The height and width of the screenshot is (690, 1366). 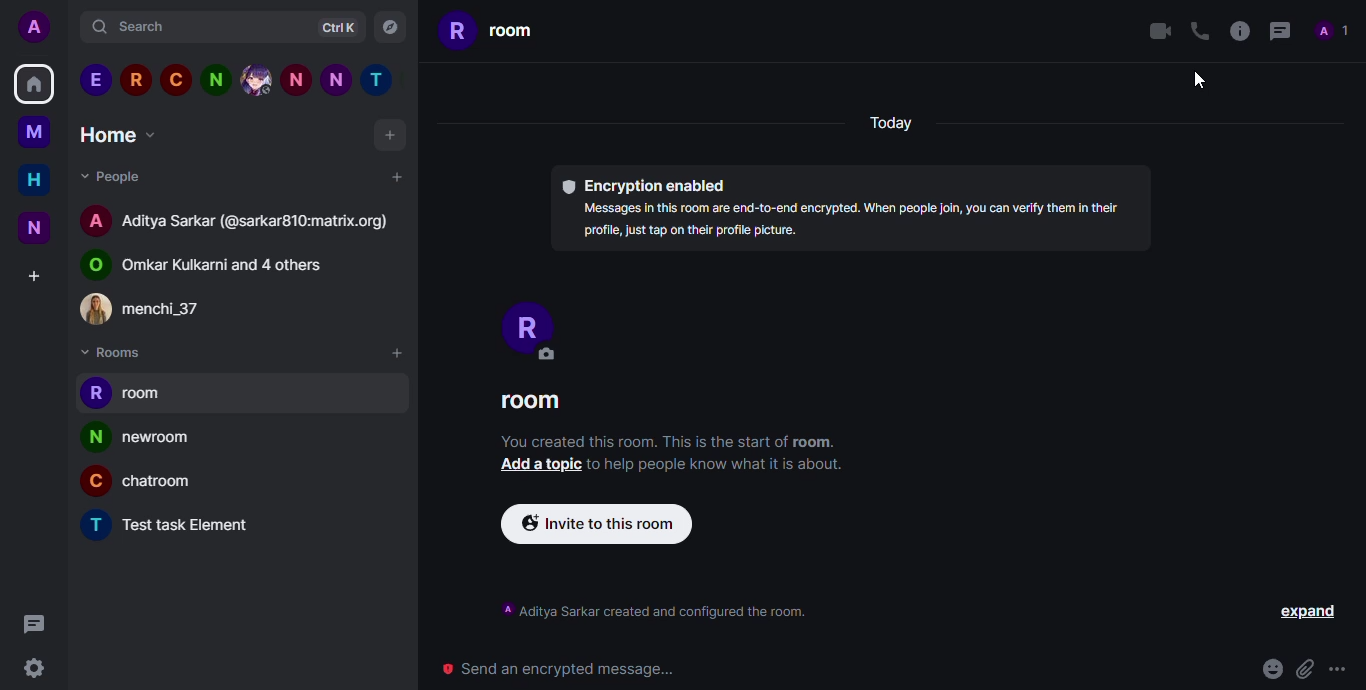 What do you see at coordinates (35, 624) in the screenshot?
I see `Threads` at bounding box center [35, 624].